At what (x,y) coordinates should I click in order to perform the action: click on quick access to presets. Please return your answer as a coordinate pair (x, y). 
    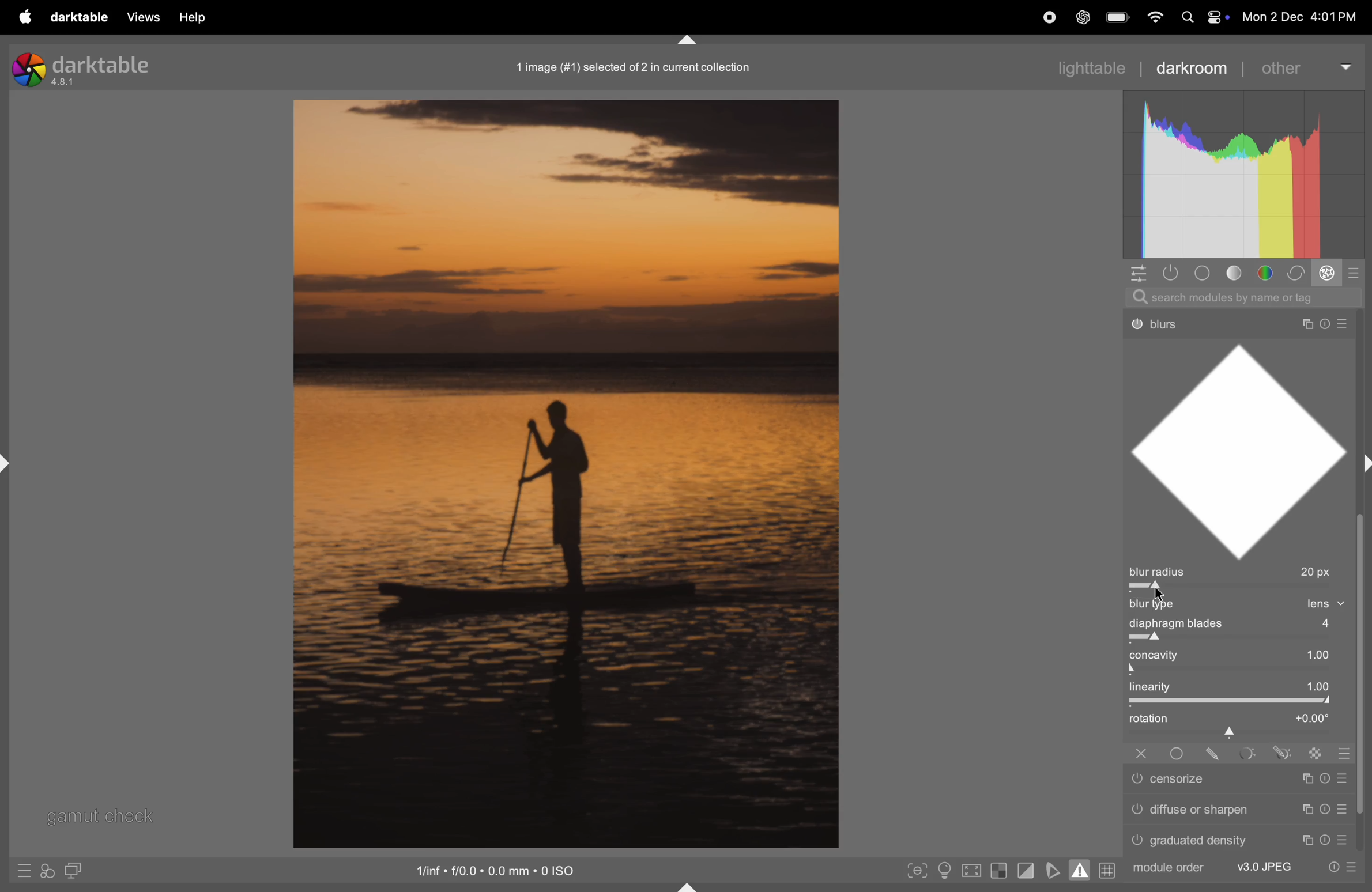
    Looking at the image, I should click on (25, 872).